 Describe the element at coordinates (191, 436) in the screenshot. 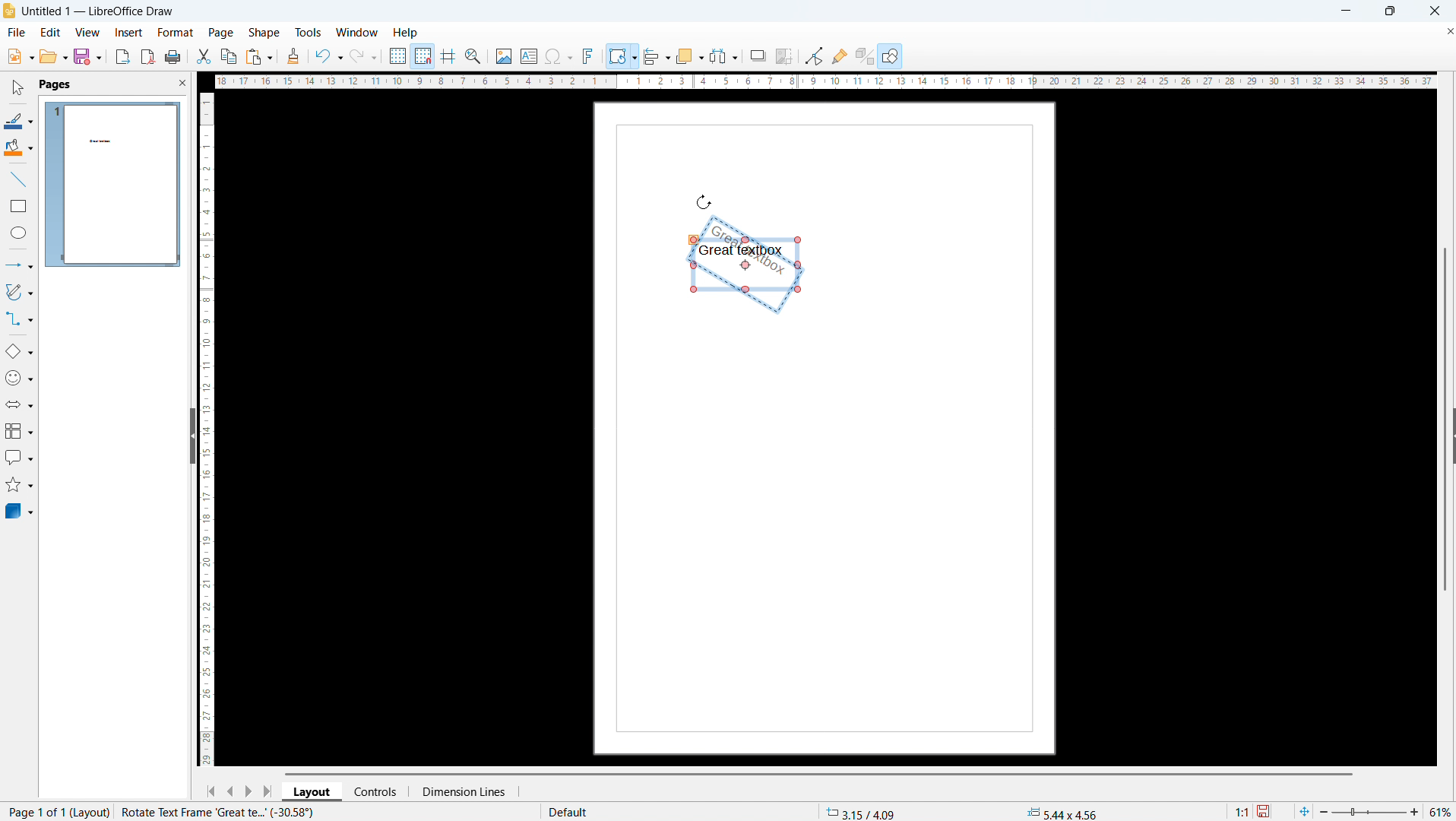

I see `hide pane` at that location.